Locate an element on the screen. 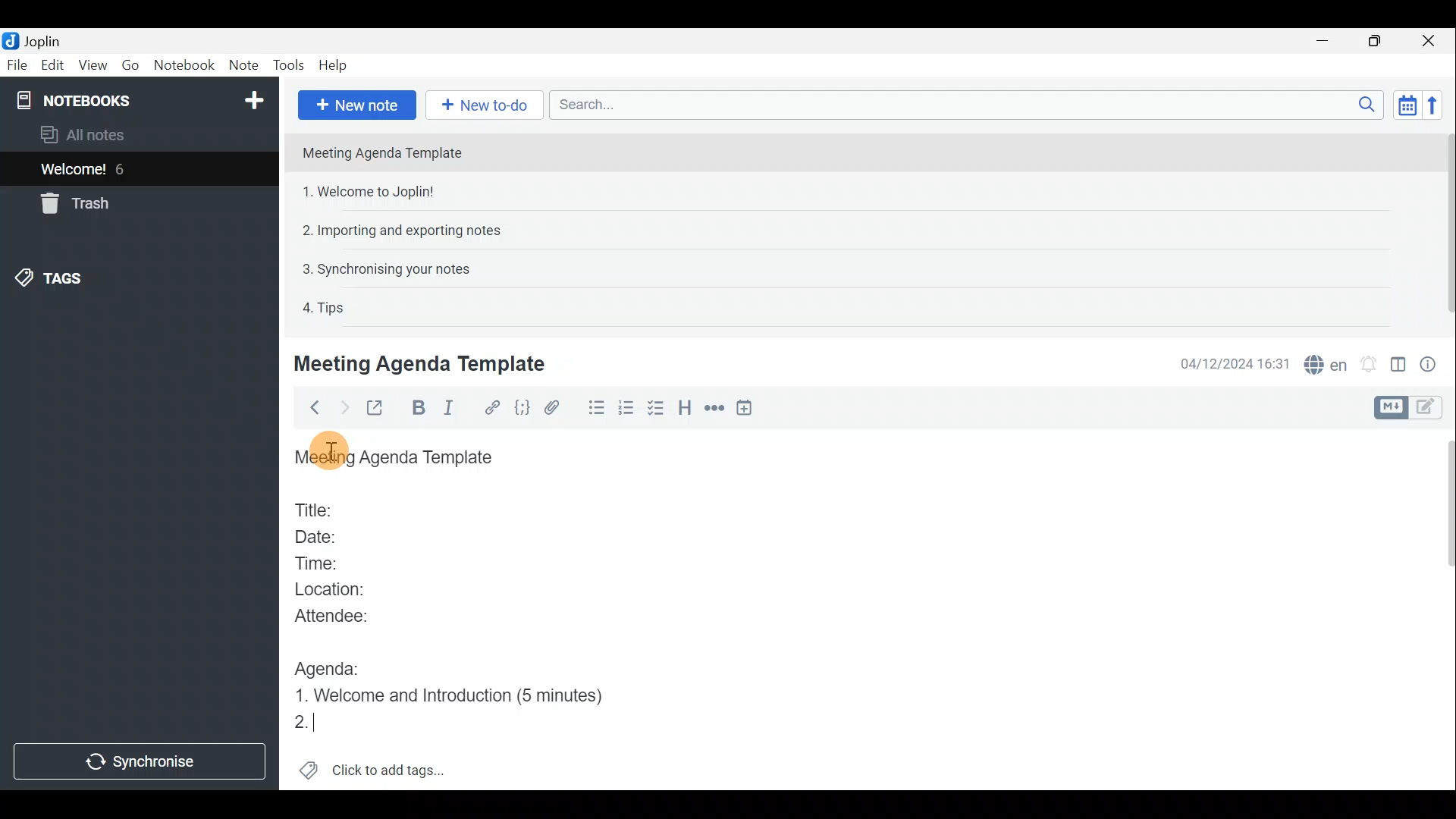  Trash is located at coordinates (72, 203).